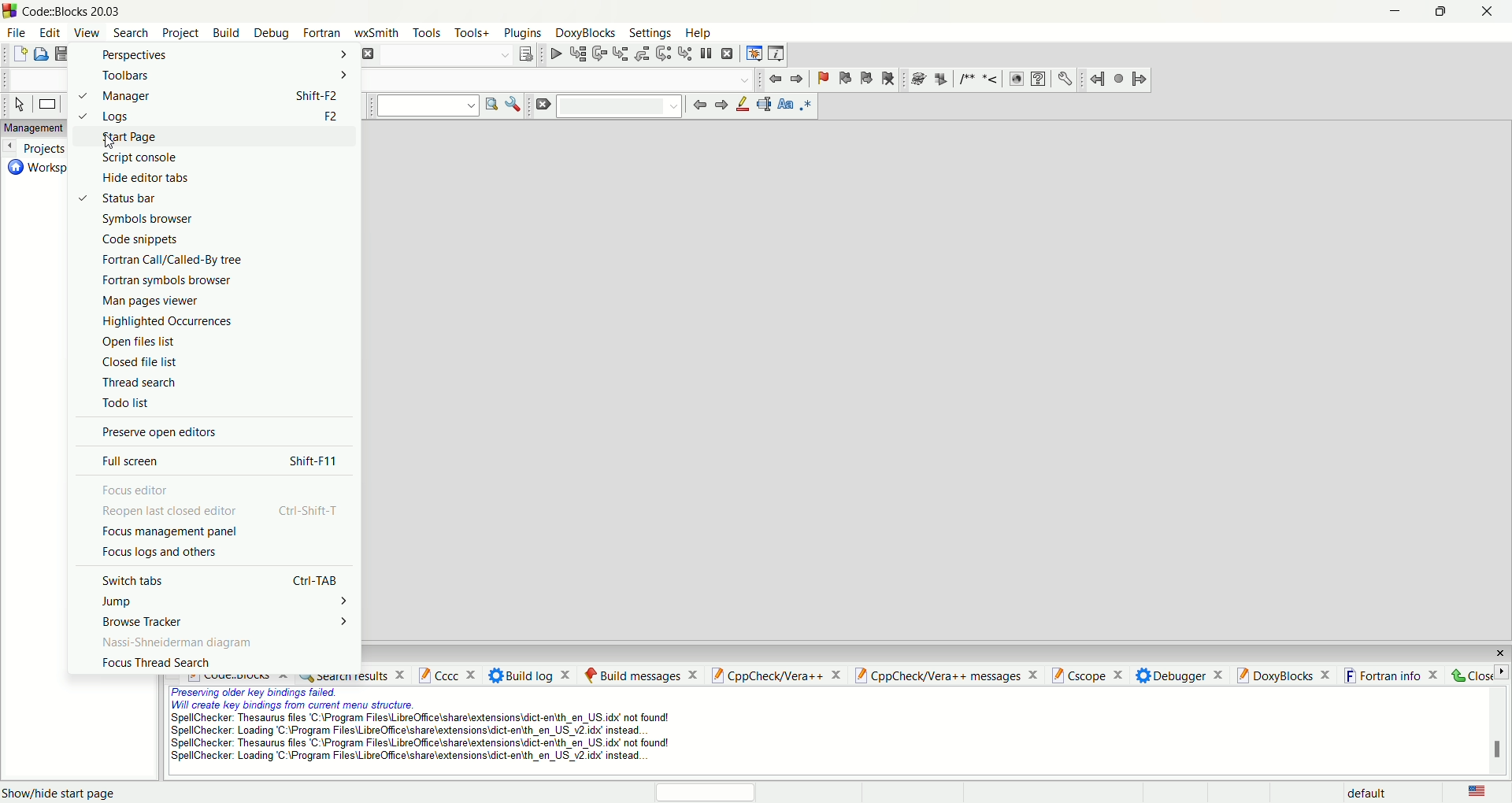 This screenshot has width=1512, height=803. What do you see at coordinates (149, 220) in the screenshot?
I see `symbol browser` at bounding box center [149, 220].